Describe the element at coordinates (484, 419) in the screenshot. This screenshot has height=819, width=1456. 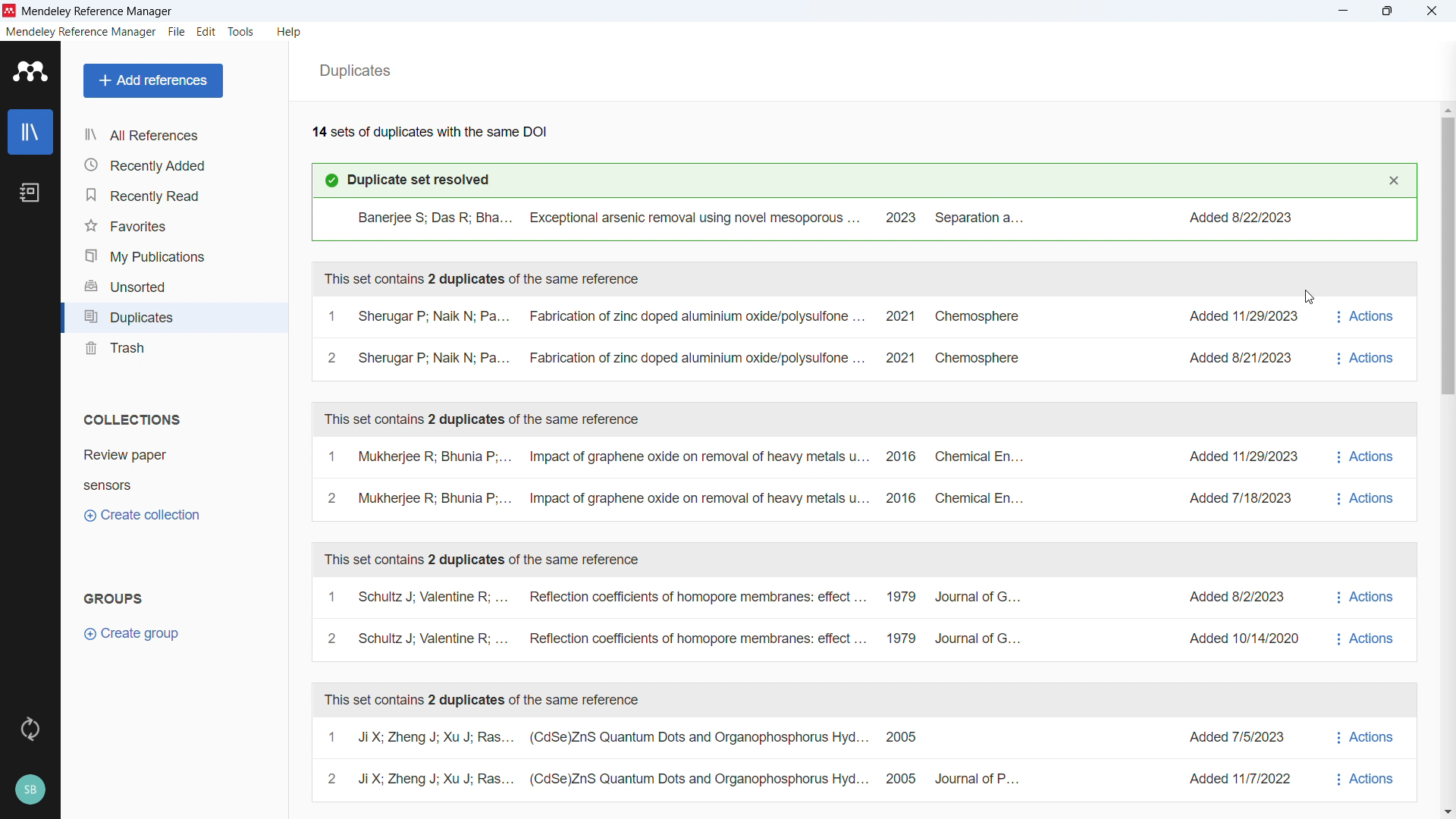
I see `This set contains two duplicates of the same reference` at that location.